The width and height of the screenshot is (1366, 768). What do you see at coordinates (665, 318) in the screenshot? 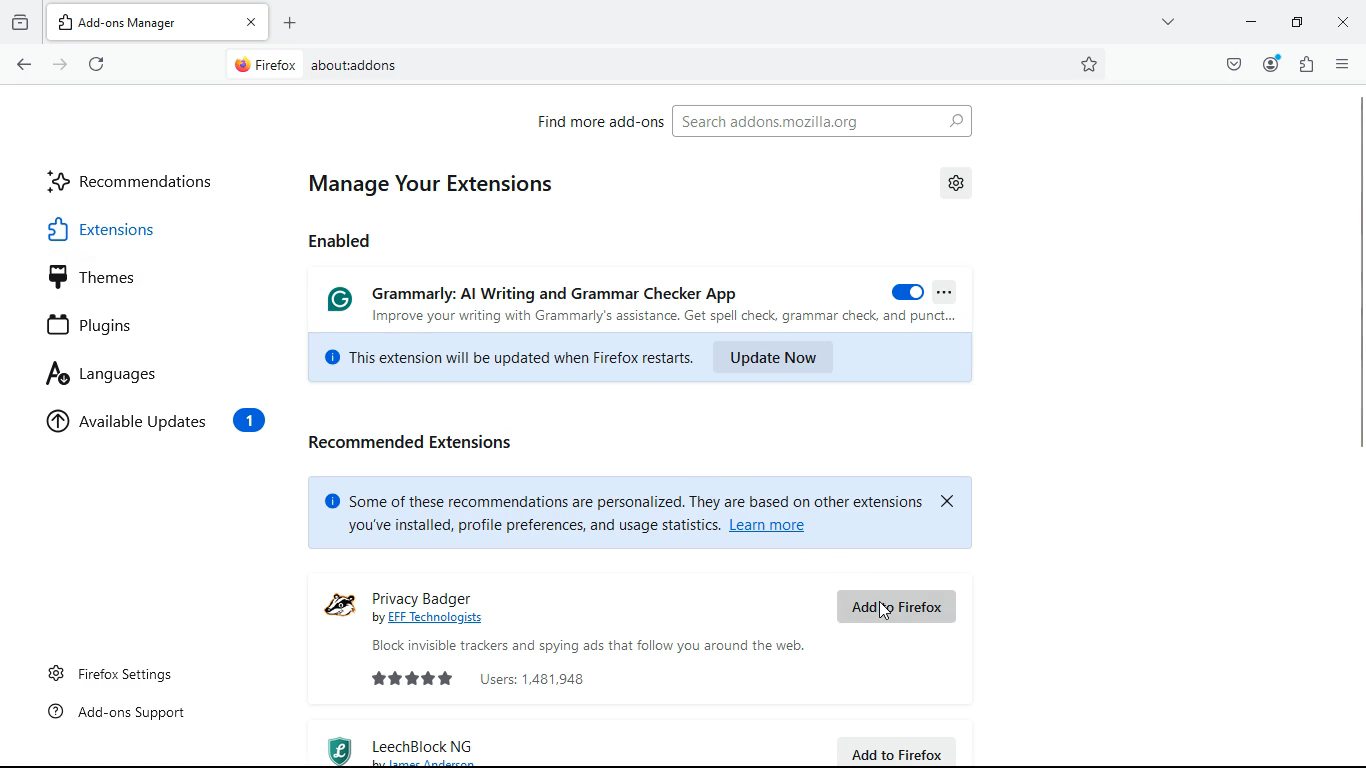
I see `Improve your writing with Grammarly's assistance. Get spell check, grammar check, and punct...` at bounding box center [665, 318].